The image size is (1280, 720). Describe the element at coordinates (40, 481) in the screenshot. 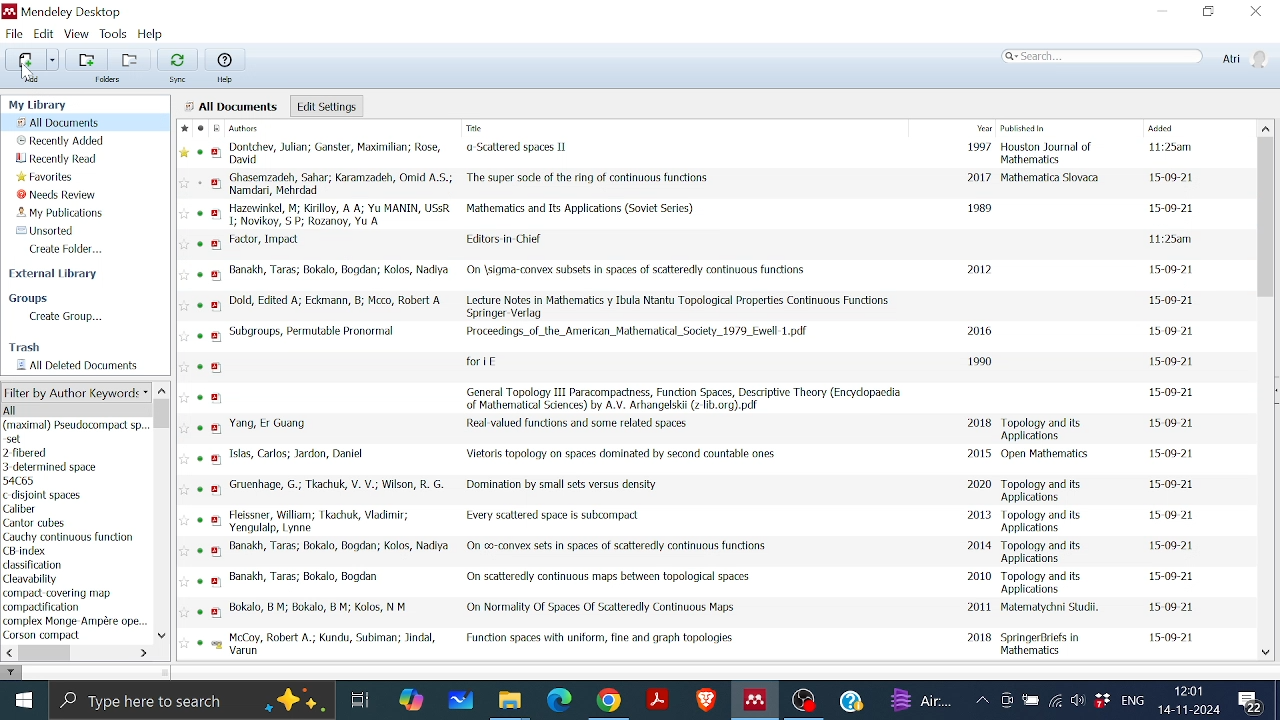

I see `author` at that location.